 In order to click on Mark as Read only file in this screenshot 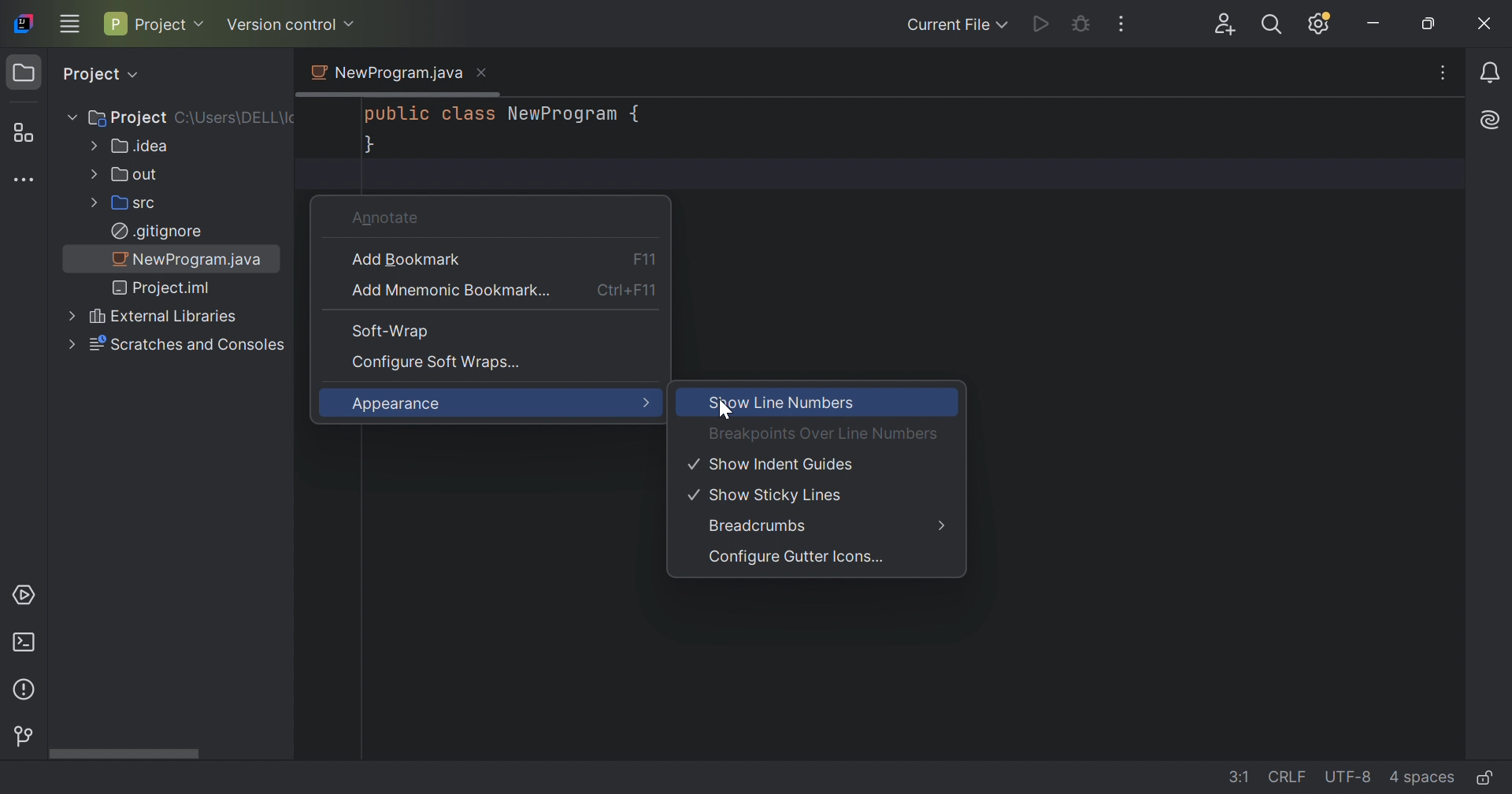, I will do `click(1486, 775)`.